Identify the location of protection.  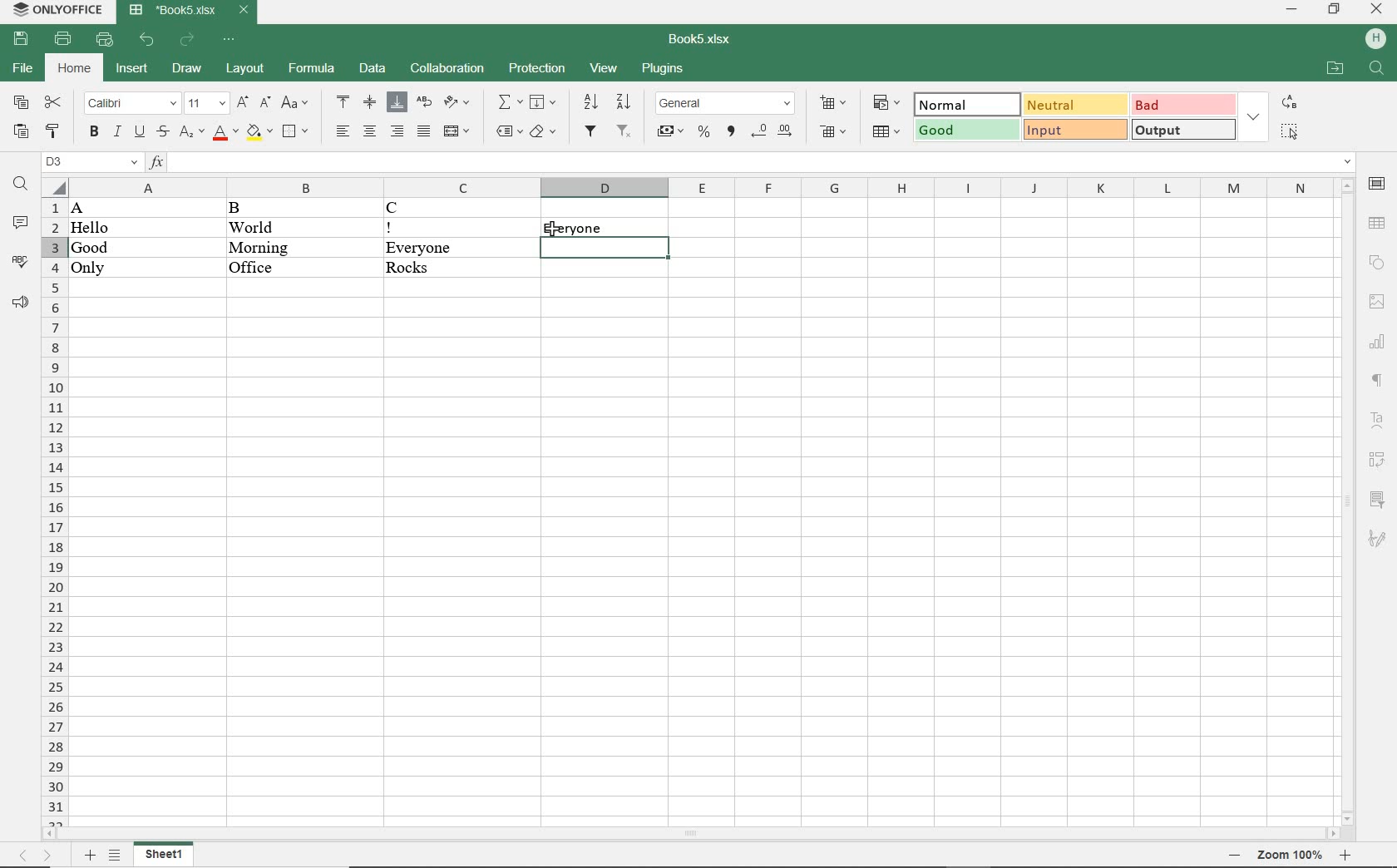
(539, 70).